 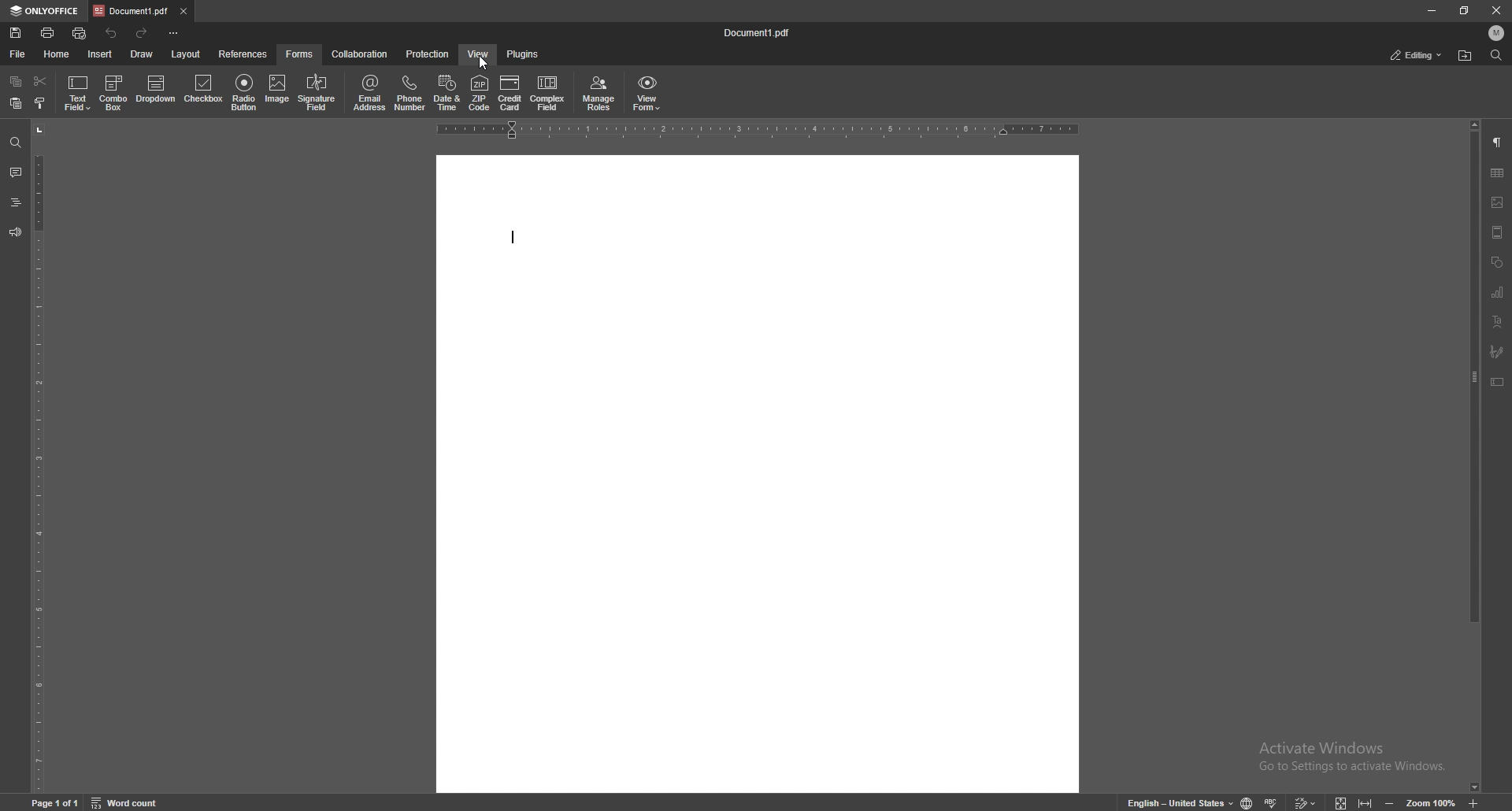 I want to click on text field, so click(x=79, y=91).